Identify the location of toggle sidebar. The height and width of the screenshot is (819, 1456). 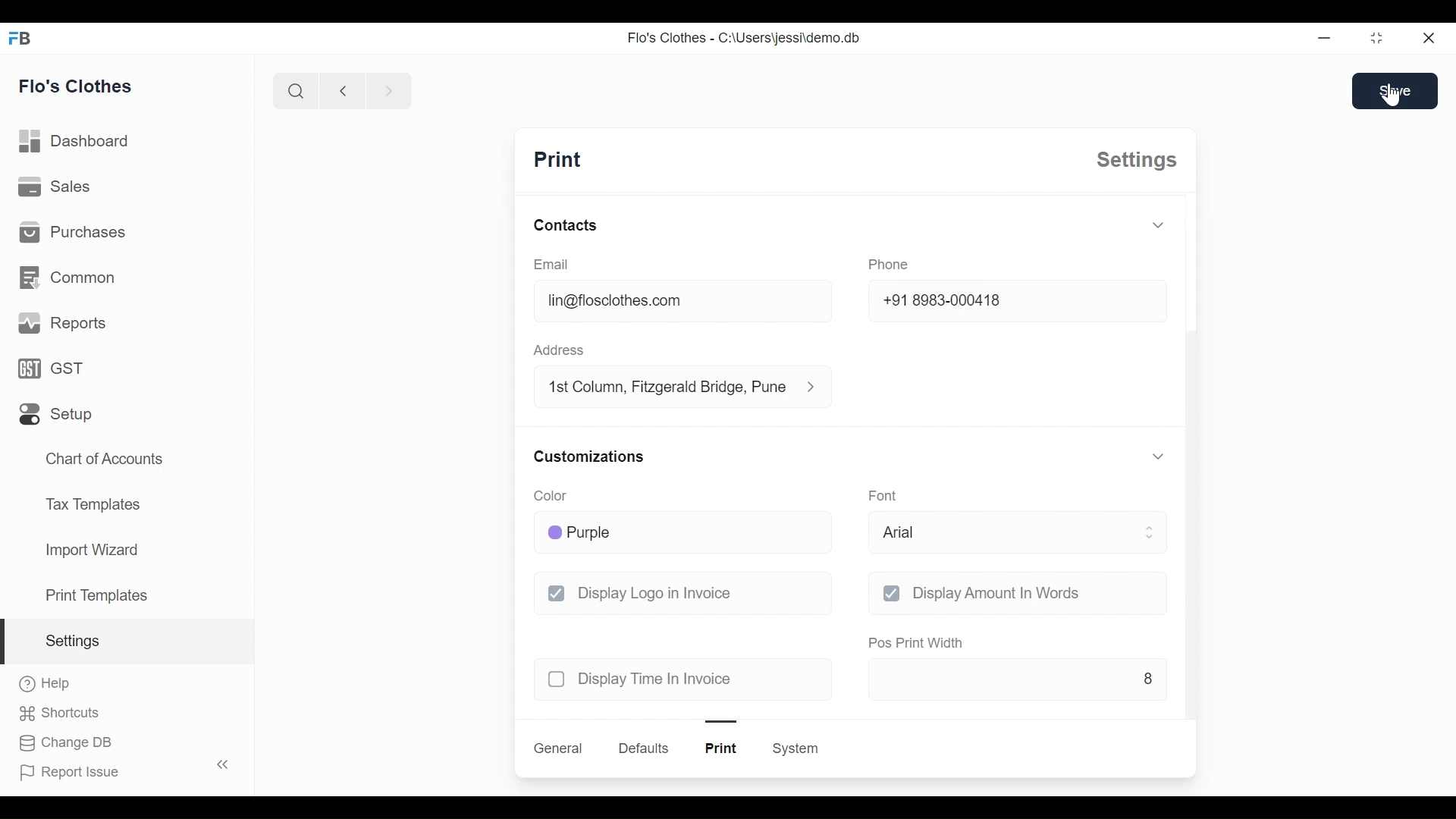
(224, 764).